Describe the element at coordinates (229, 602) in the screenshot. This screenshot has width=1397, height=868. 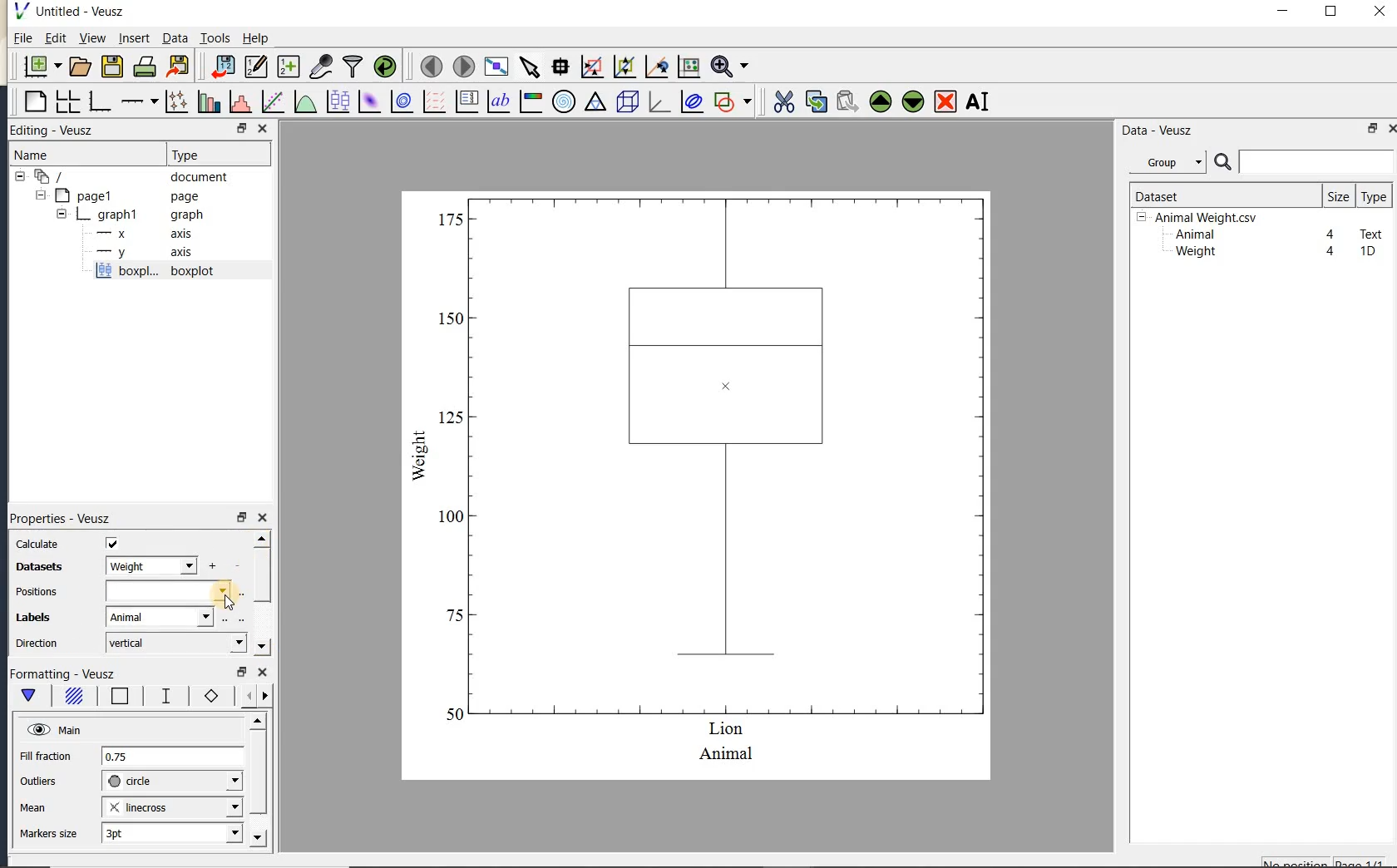
I see `cursor` at that location.